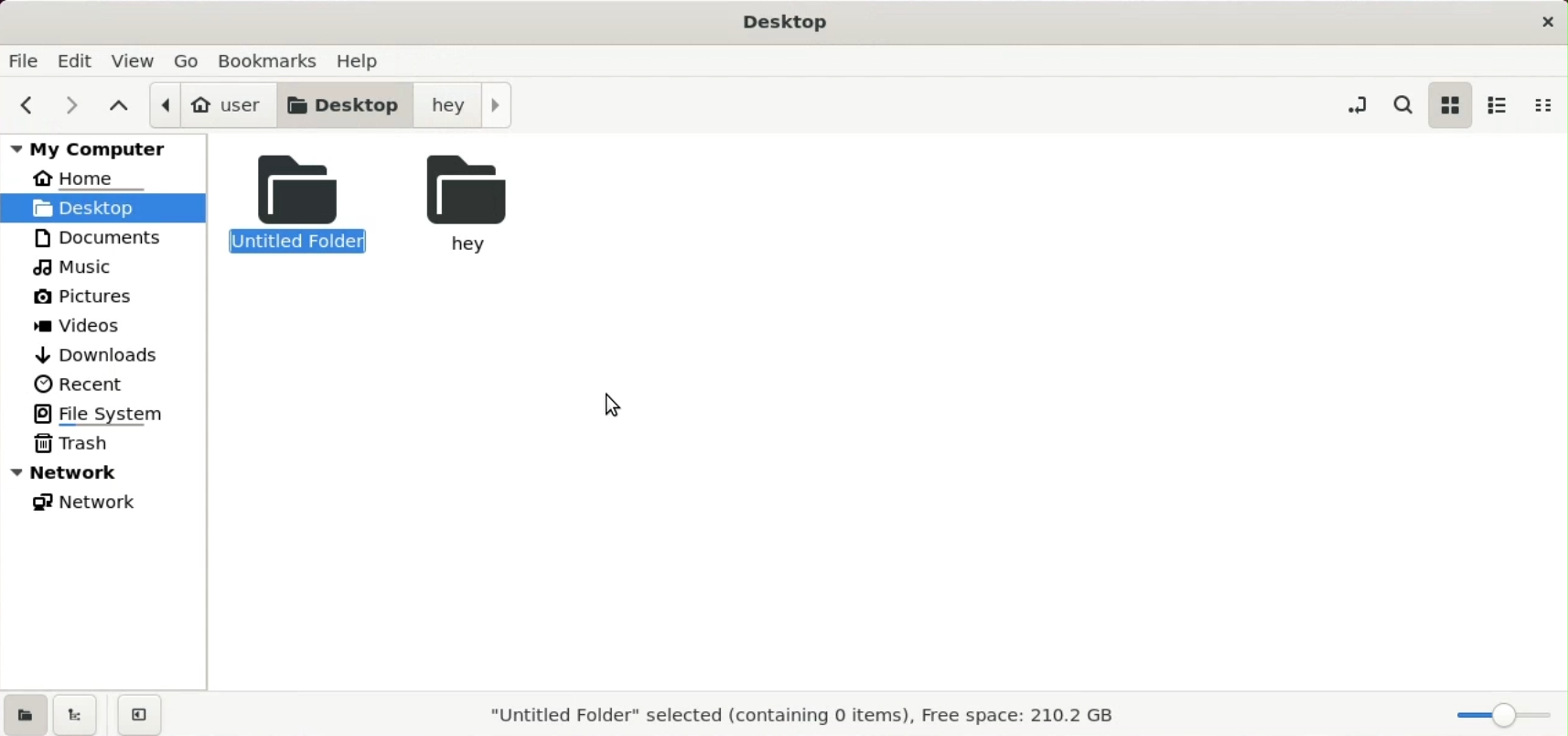  I want to click on home, so click(92, 176).